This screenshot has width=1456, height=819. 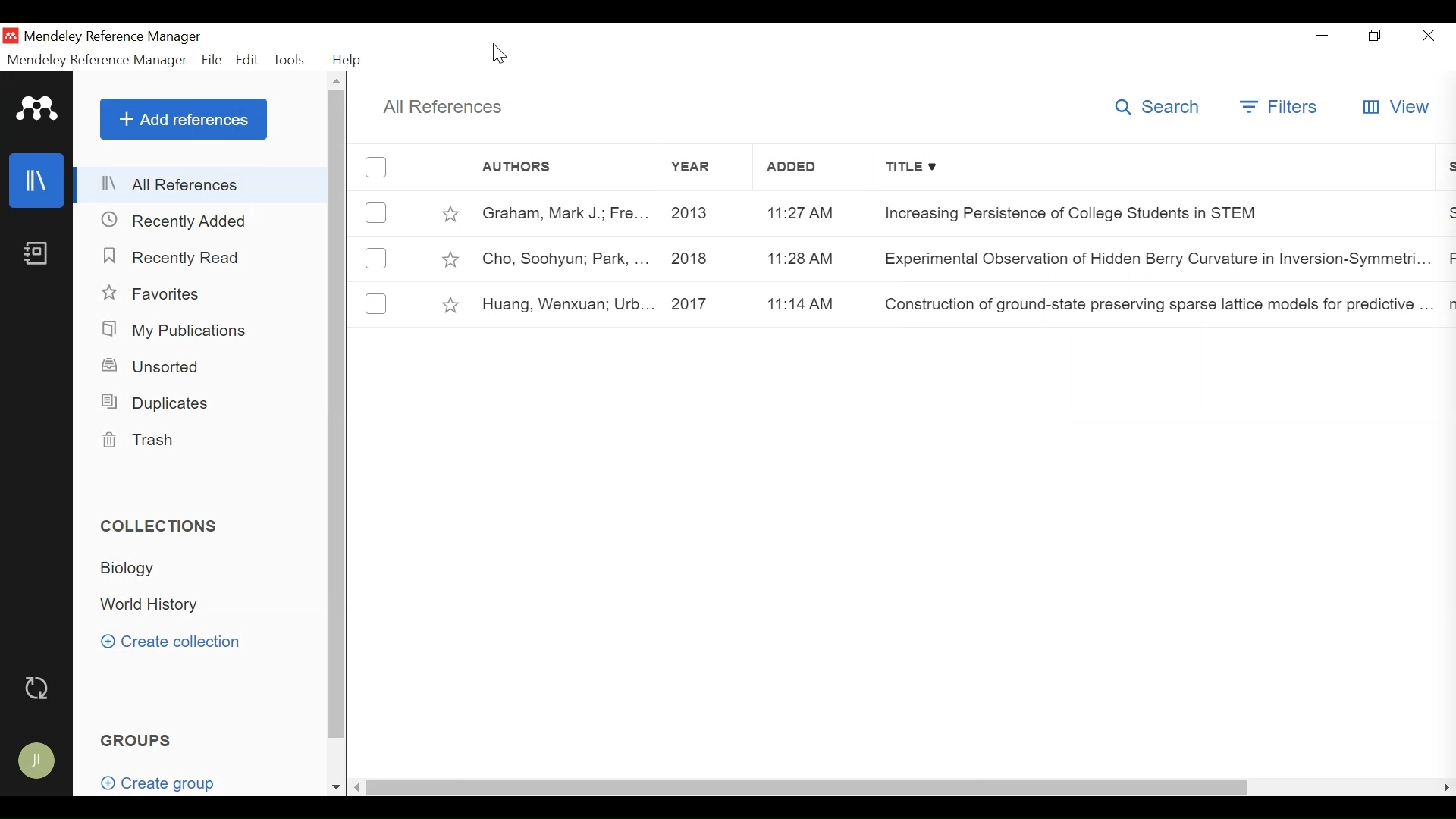 I want to click on Recently Read, so click(x=175, y=257).